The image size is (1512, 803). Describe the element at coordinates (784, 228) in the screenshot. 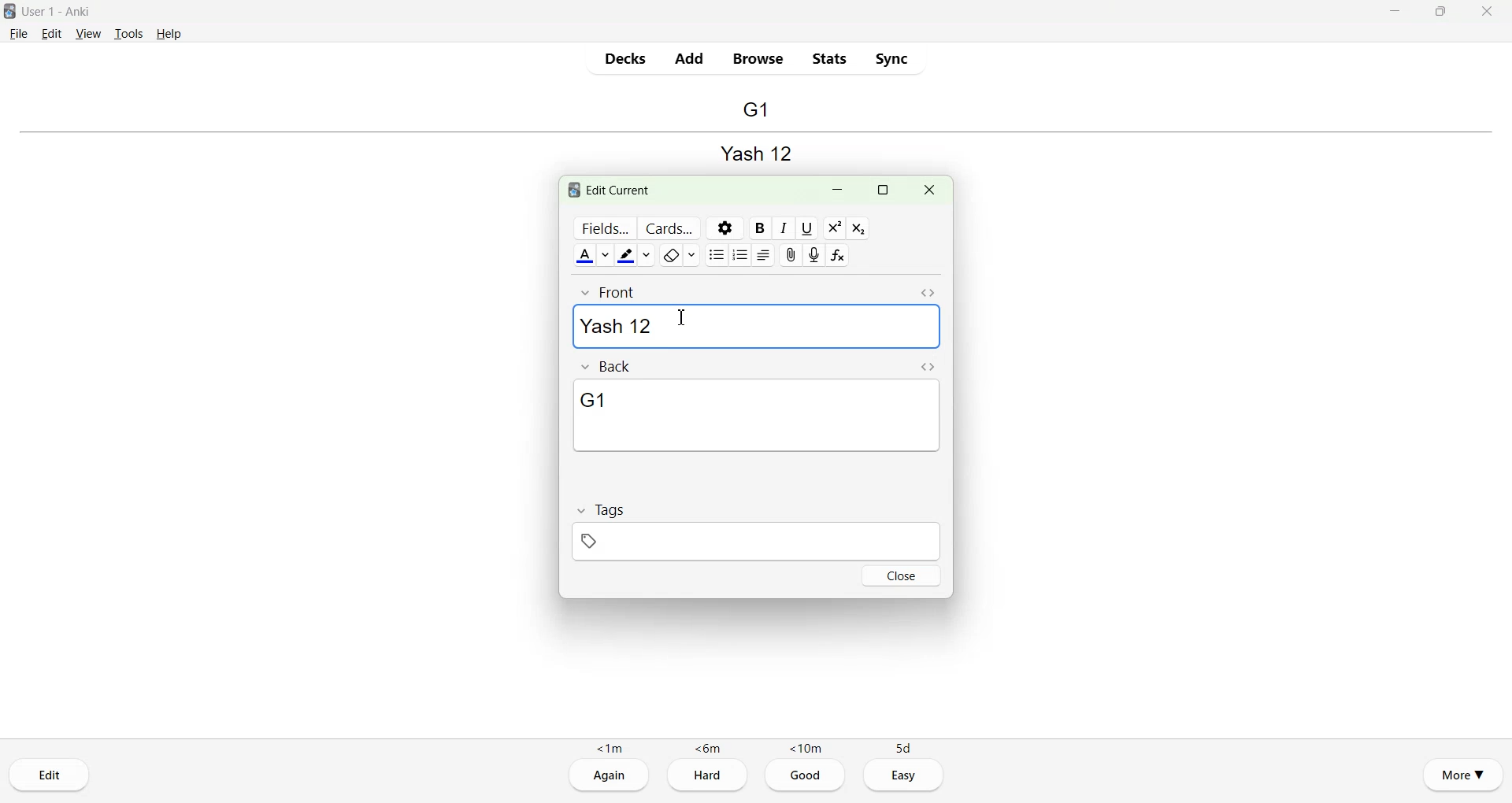

I see `Italic text` at that location.